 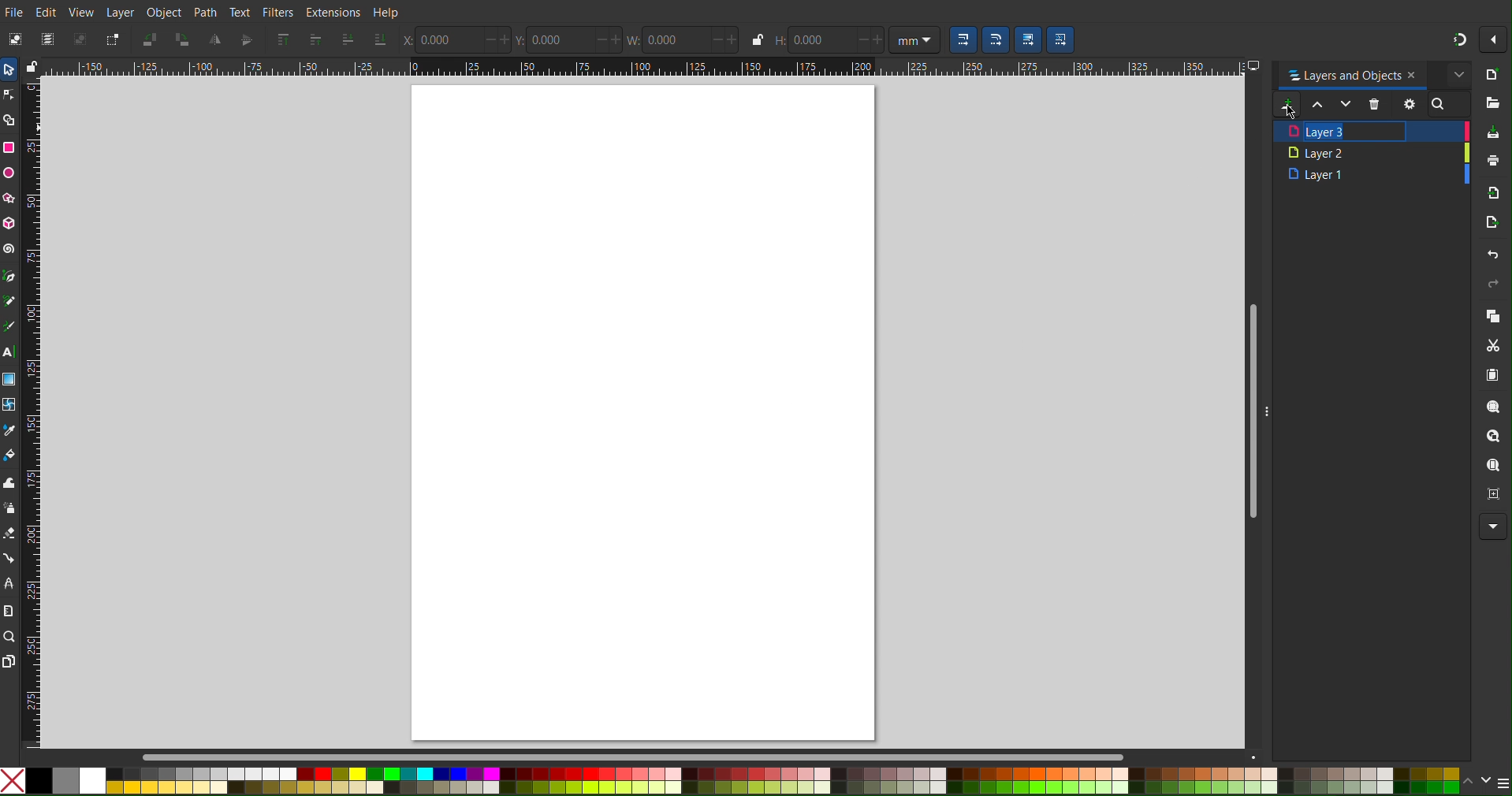 I want to click on New Layer, so click(x=1369, y=131).